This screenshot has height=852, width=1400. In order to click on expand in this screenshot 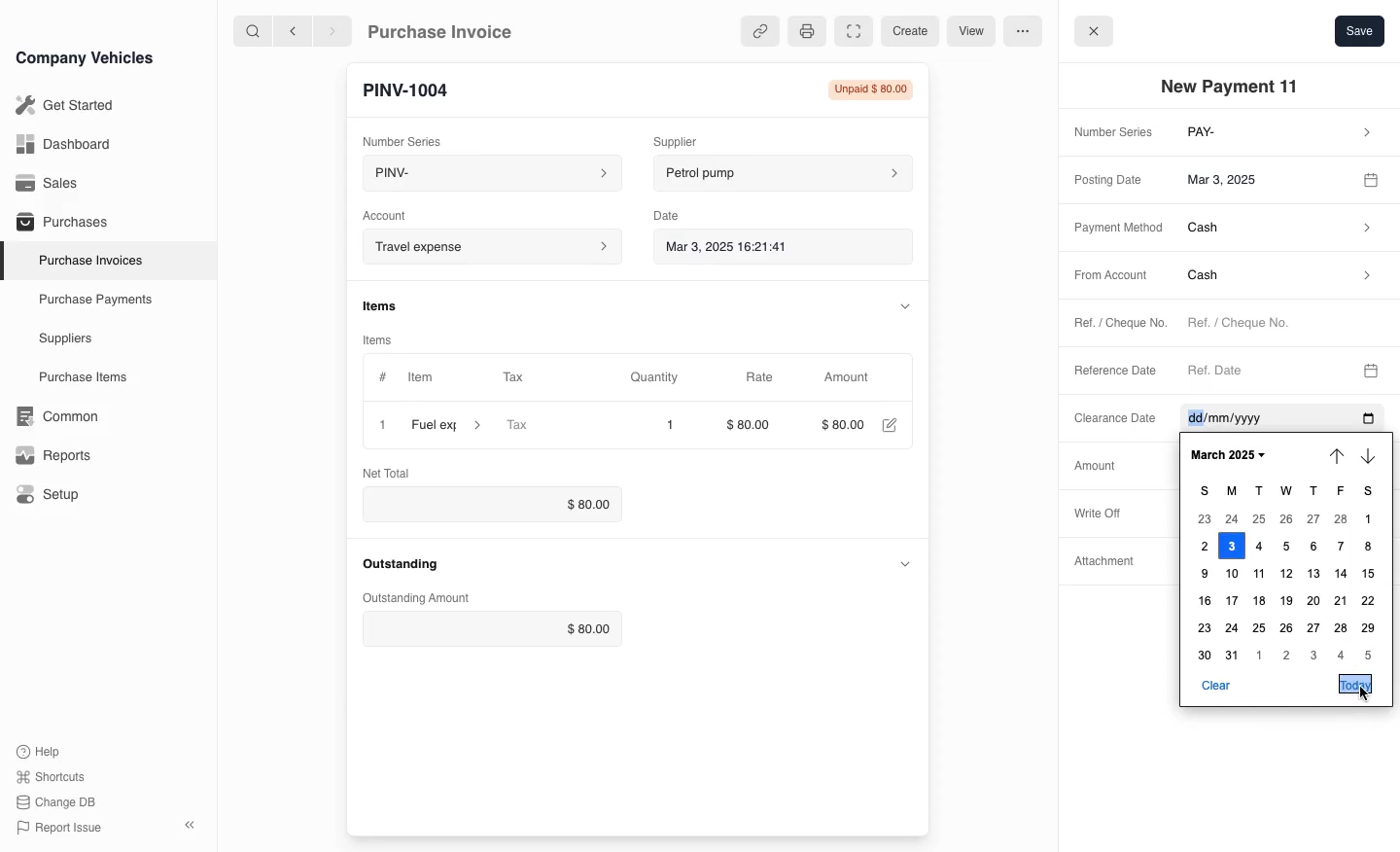, I will do `click(905, 563)`.